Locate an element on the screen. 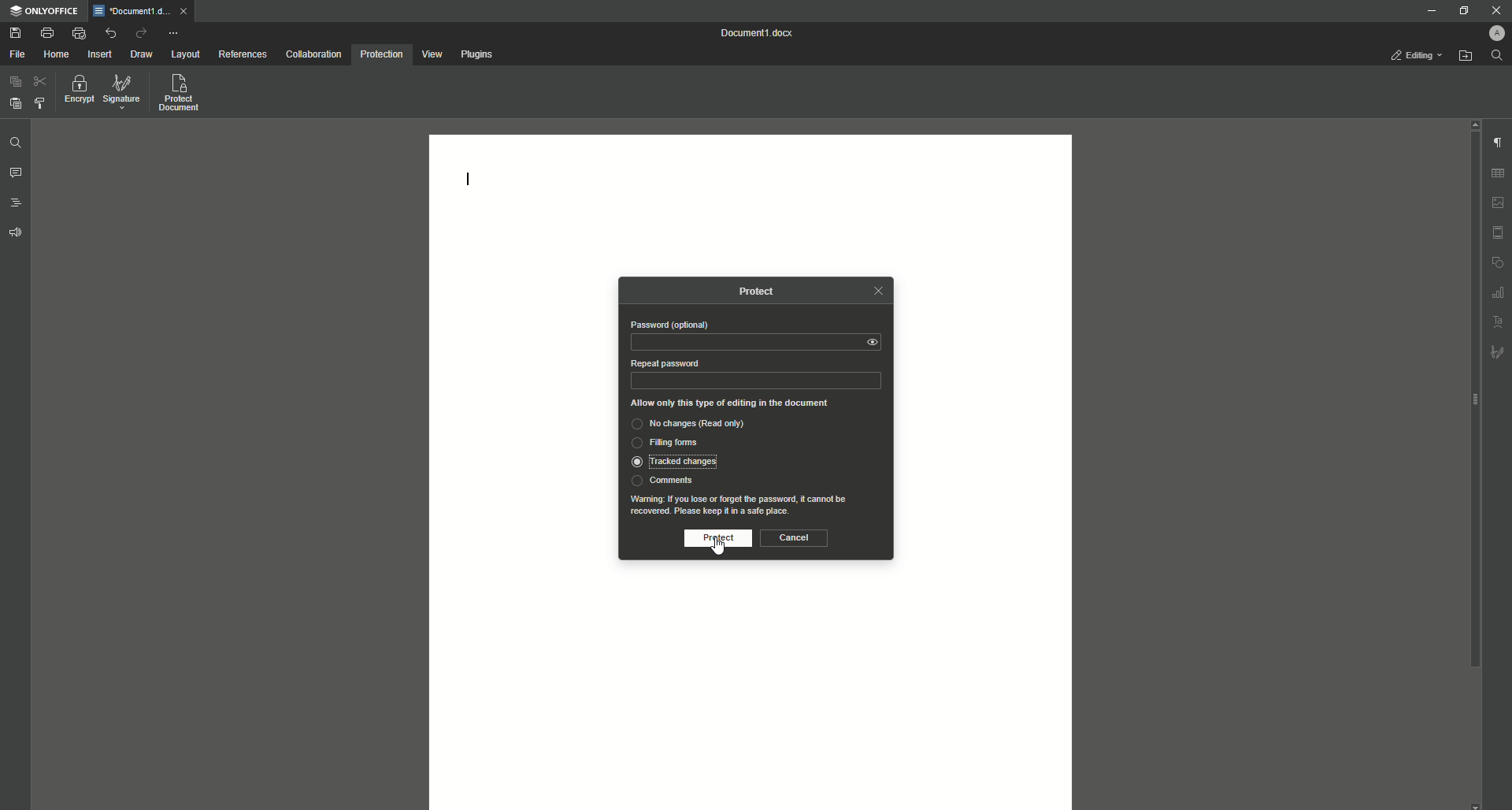 This screenshot has width=1512, height=810. Protection is located at coordinates (381, 55).